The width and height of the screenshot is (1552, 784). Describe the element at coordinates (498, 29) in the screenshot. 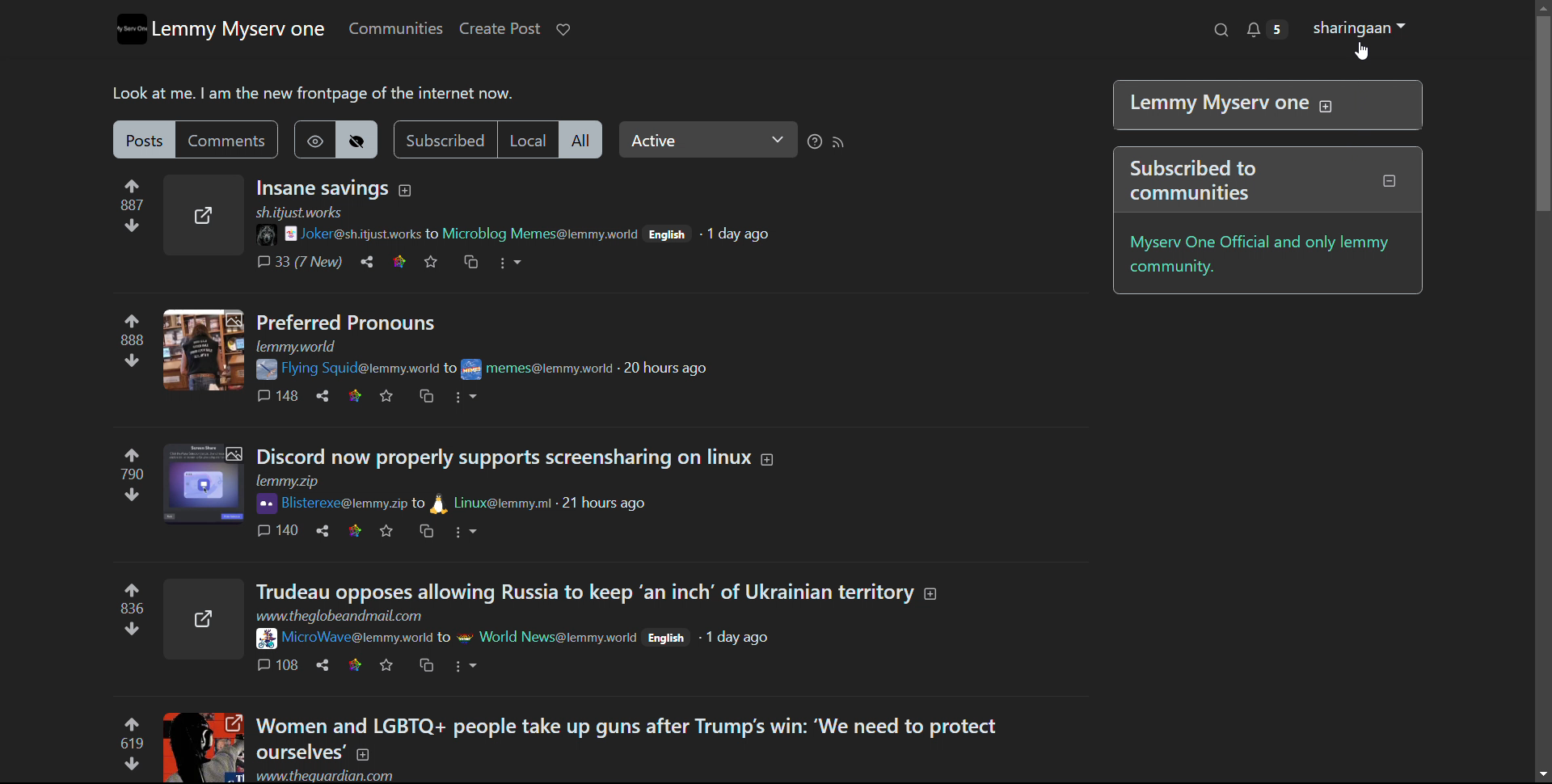

I see `create post` at that location.